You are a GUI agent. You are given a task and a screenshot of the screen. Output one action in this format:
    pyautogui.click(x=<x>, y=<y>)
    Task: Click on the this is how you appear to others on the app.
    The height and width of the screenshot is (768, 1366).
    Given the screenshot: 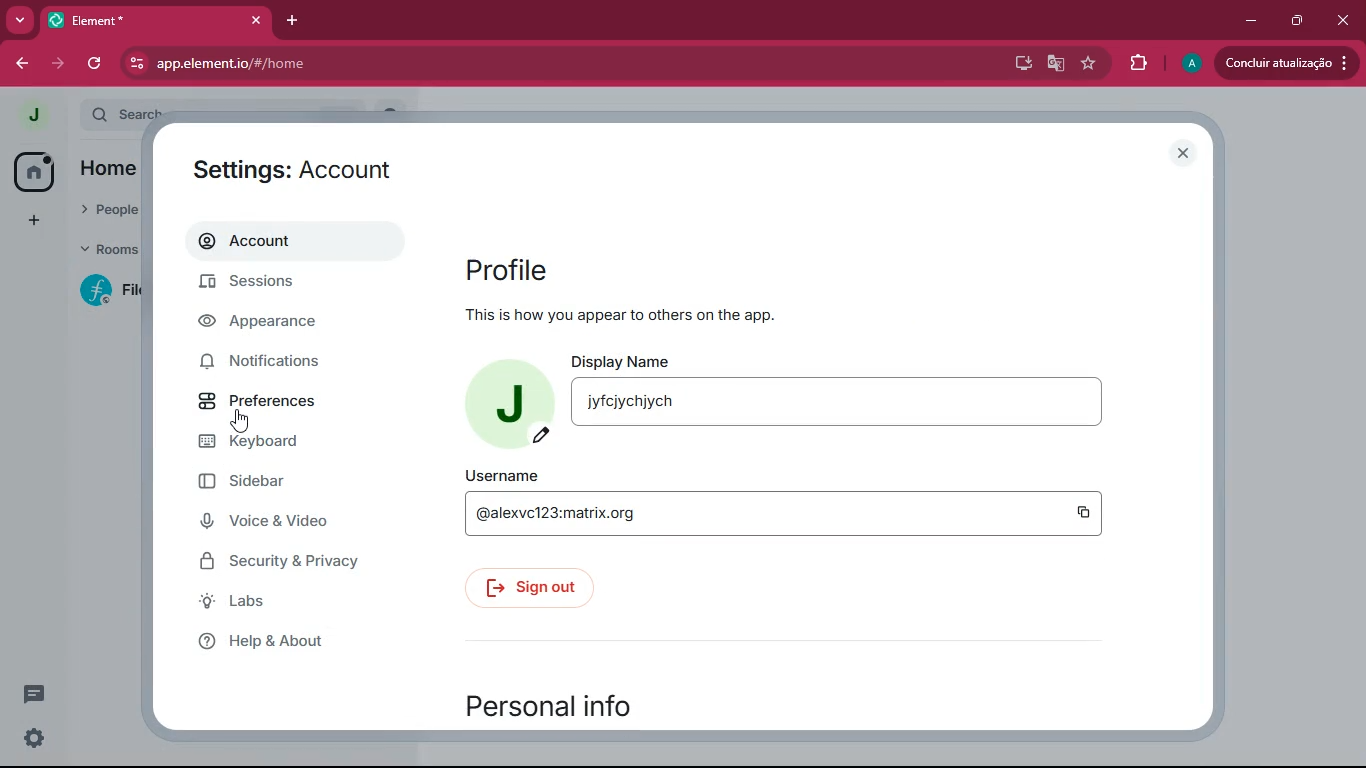 What is the action you would take?
    pyautogui.click(x=620, y=312)
    